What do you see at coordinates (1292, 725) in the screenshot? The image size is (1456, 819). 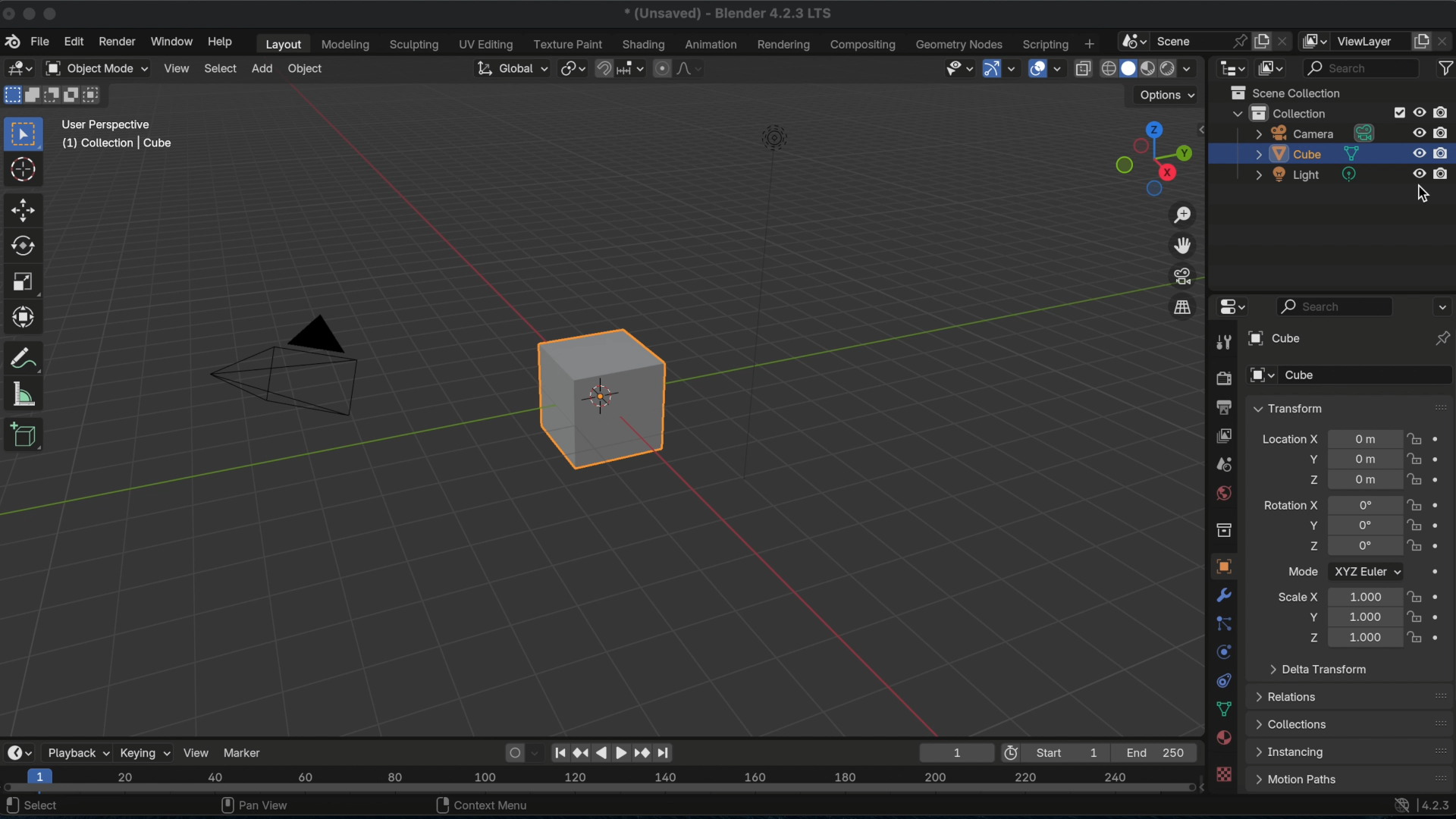 I see `collections` at bounding box center [1292, 725].